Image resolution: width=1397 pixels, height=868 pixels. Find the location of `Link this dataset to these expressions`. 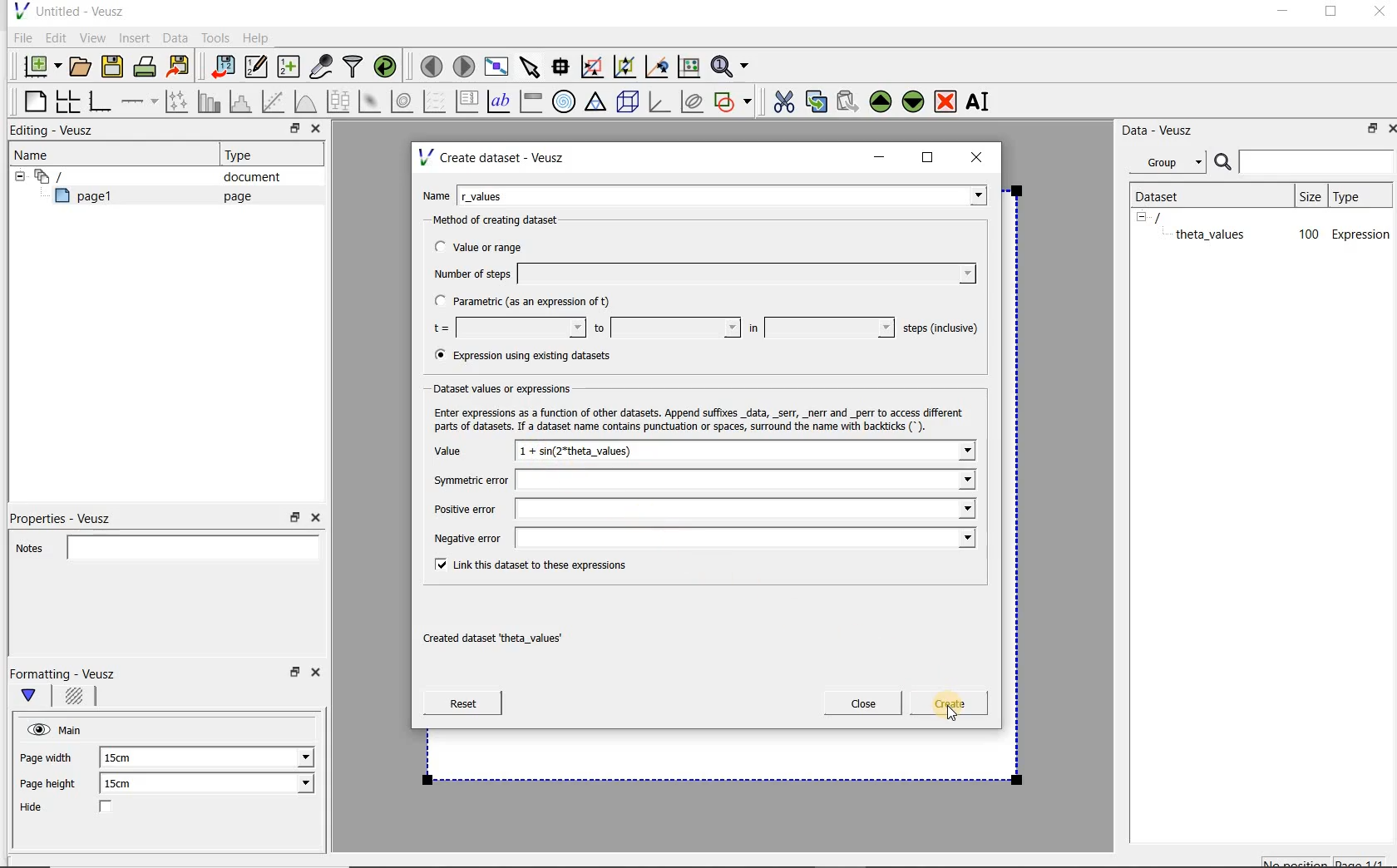

Link this dataset to these expressions is located at coordinates (527, 564).